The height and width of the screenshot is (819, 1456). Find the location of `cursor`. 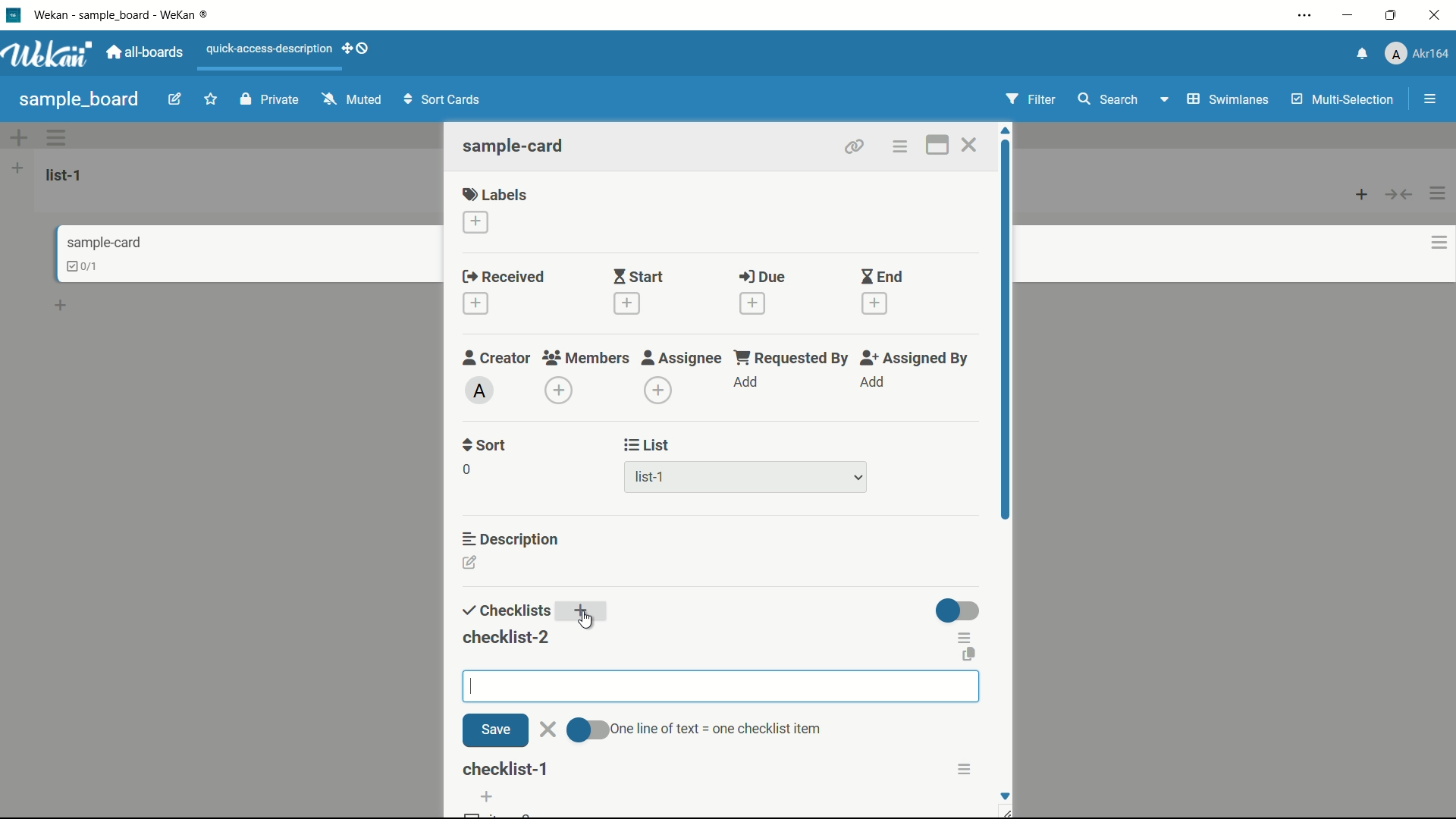

cursor is located at coordinates (472, 686).